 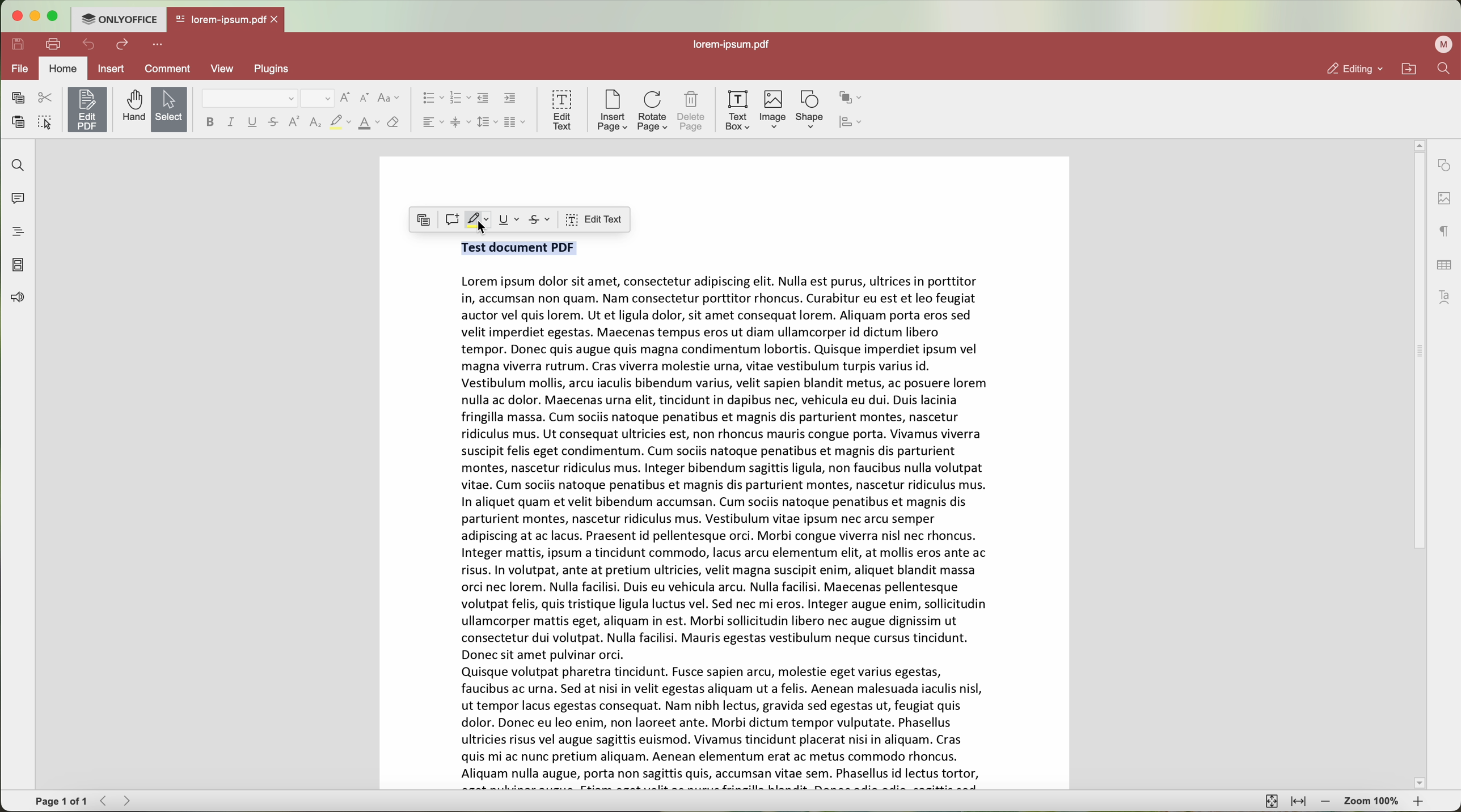 What do you see at coordinates (170, 68) in the screenshot?
I see `comment` at bounding box center [170, 68].